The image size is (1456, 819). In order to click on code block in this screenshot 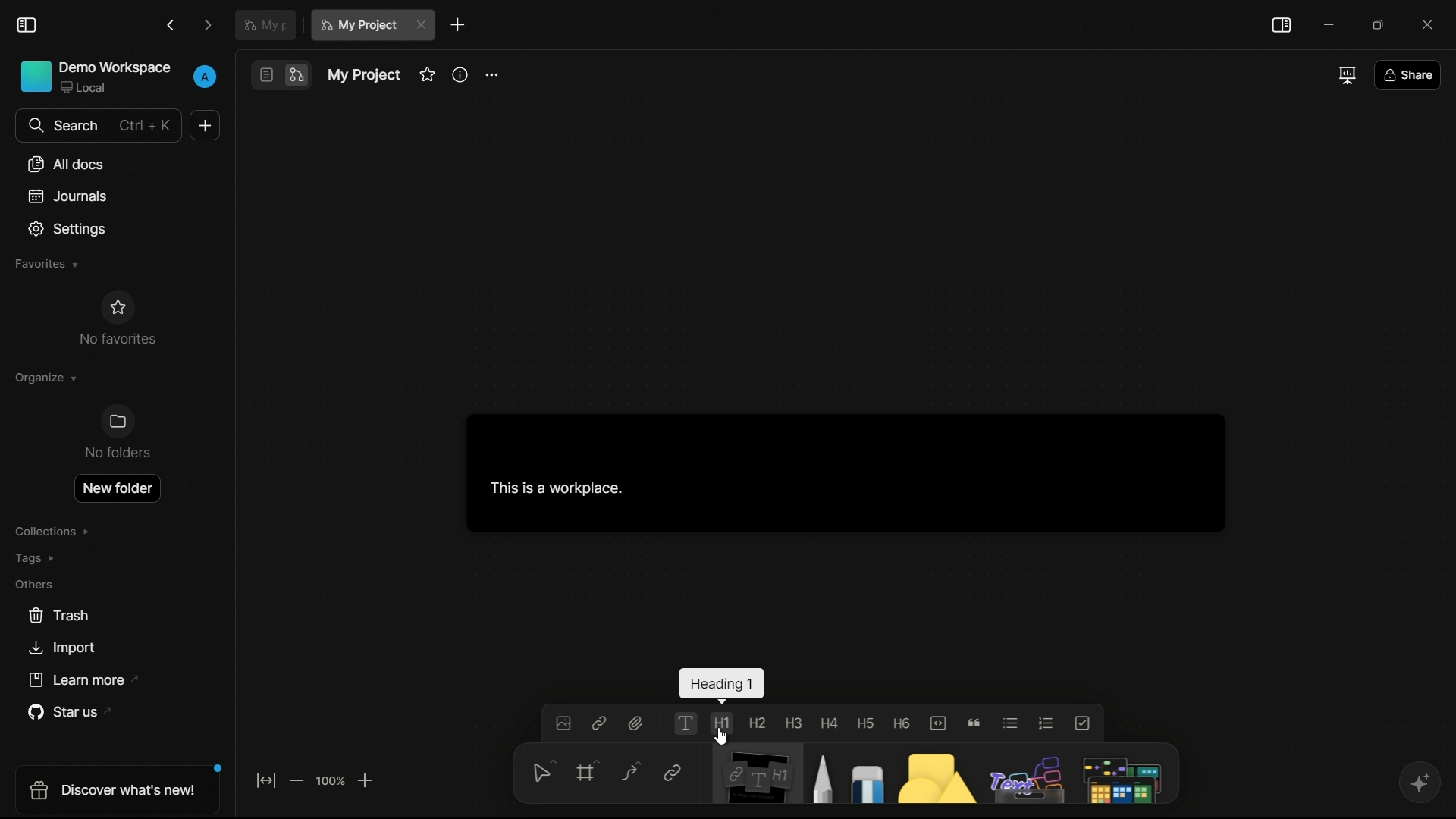, I will do `click(939, 722)`.